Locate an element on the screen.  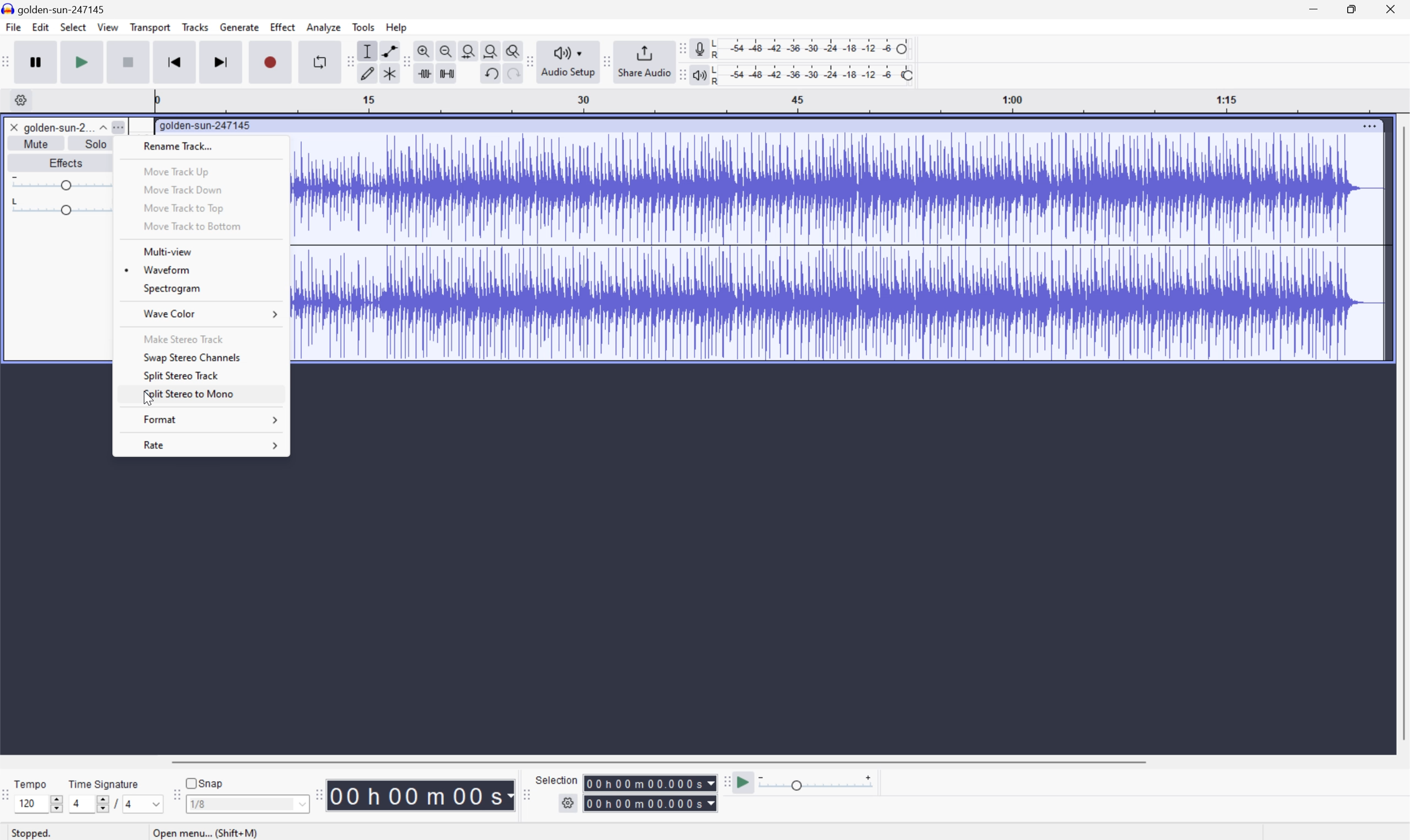
Move Track Down is located at coordinates (181, 189).